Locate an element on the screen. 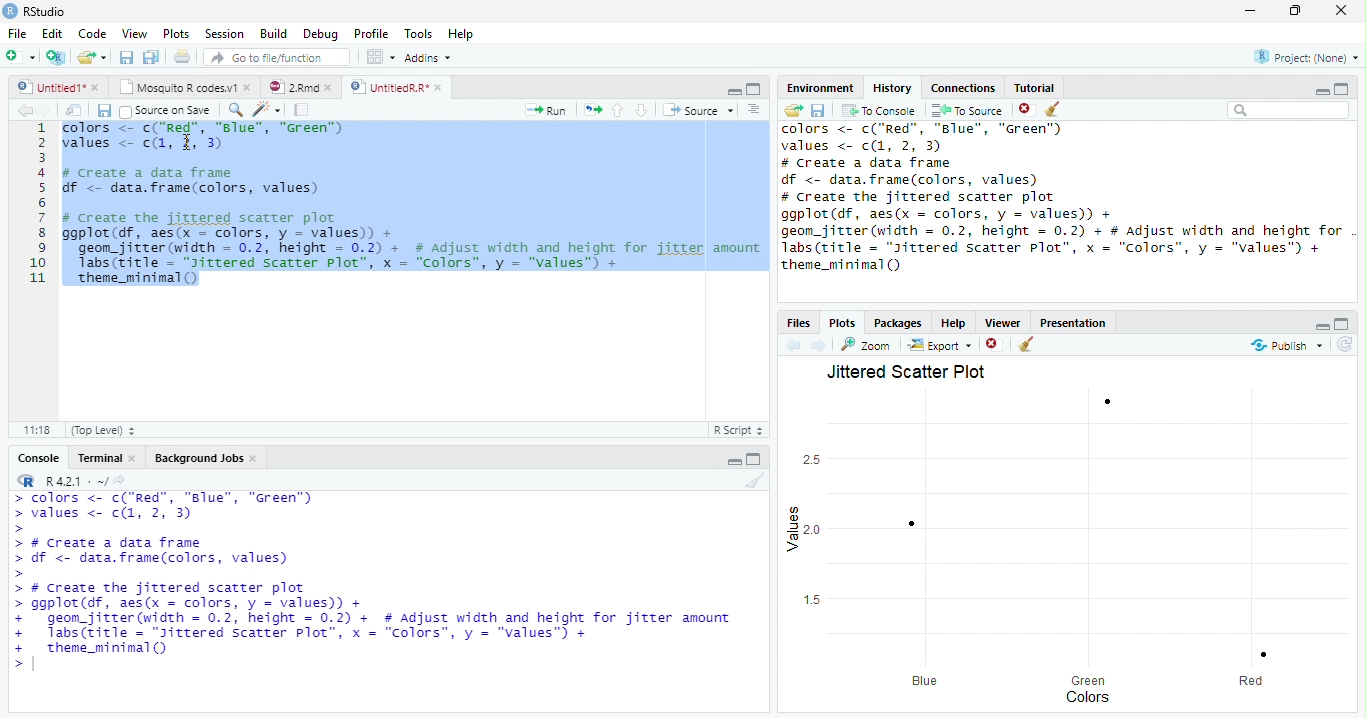 Image resolution: width=1366 pixels, height=718 pixels. Help is located at coordinates (954, 323).